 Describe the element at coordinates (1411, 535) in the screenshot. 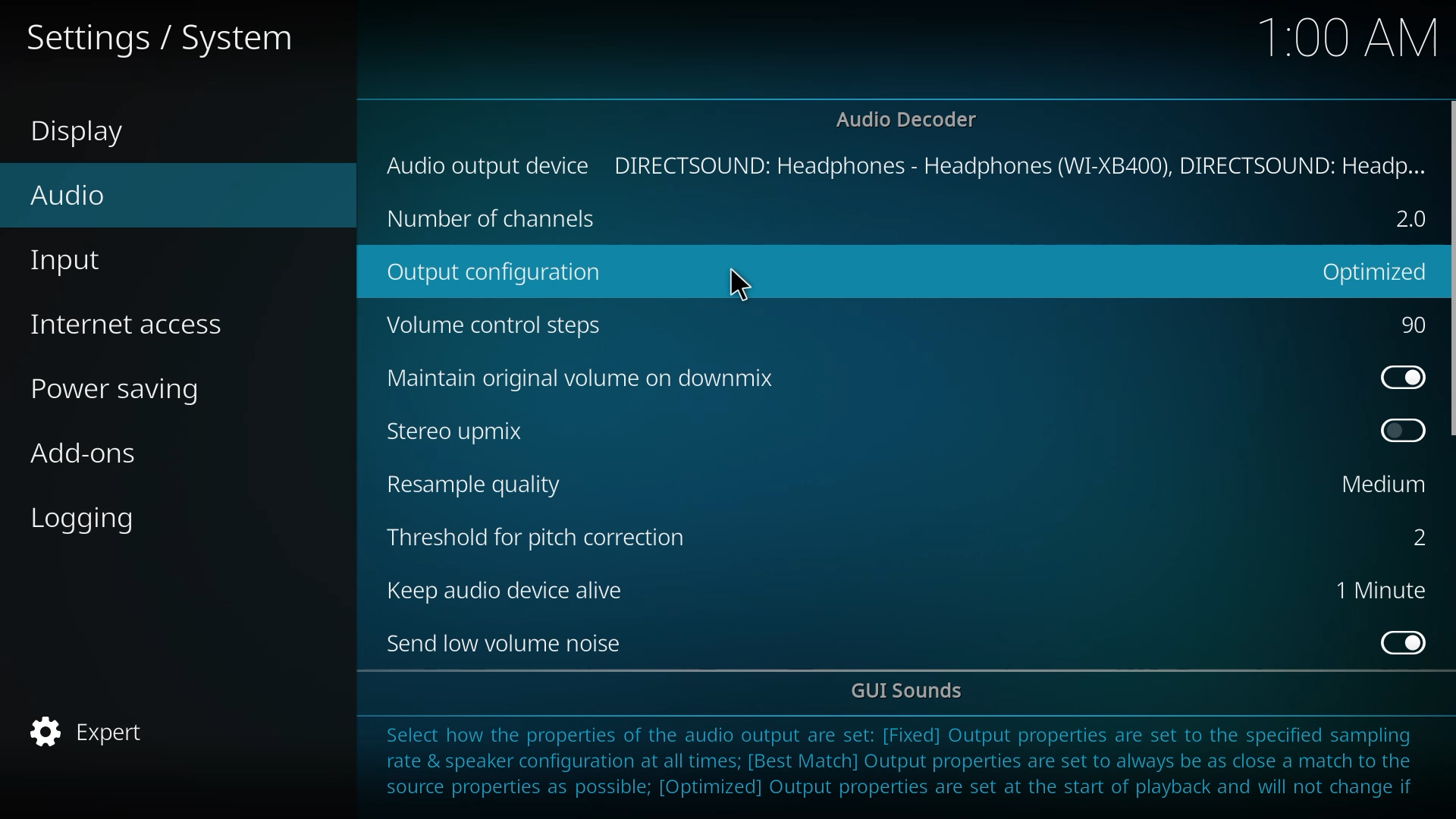

I see `2` at that location.